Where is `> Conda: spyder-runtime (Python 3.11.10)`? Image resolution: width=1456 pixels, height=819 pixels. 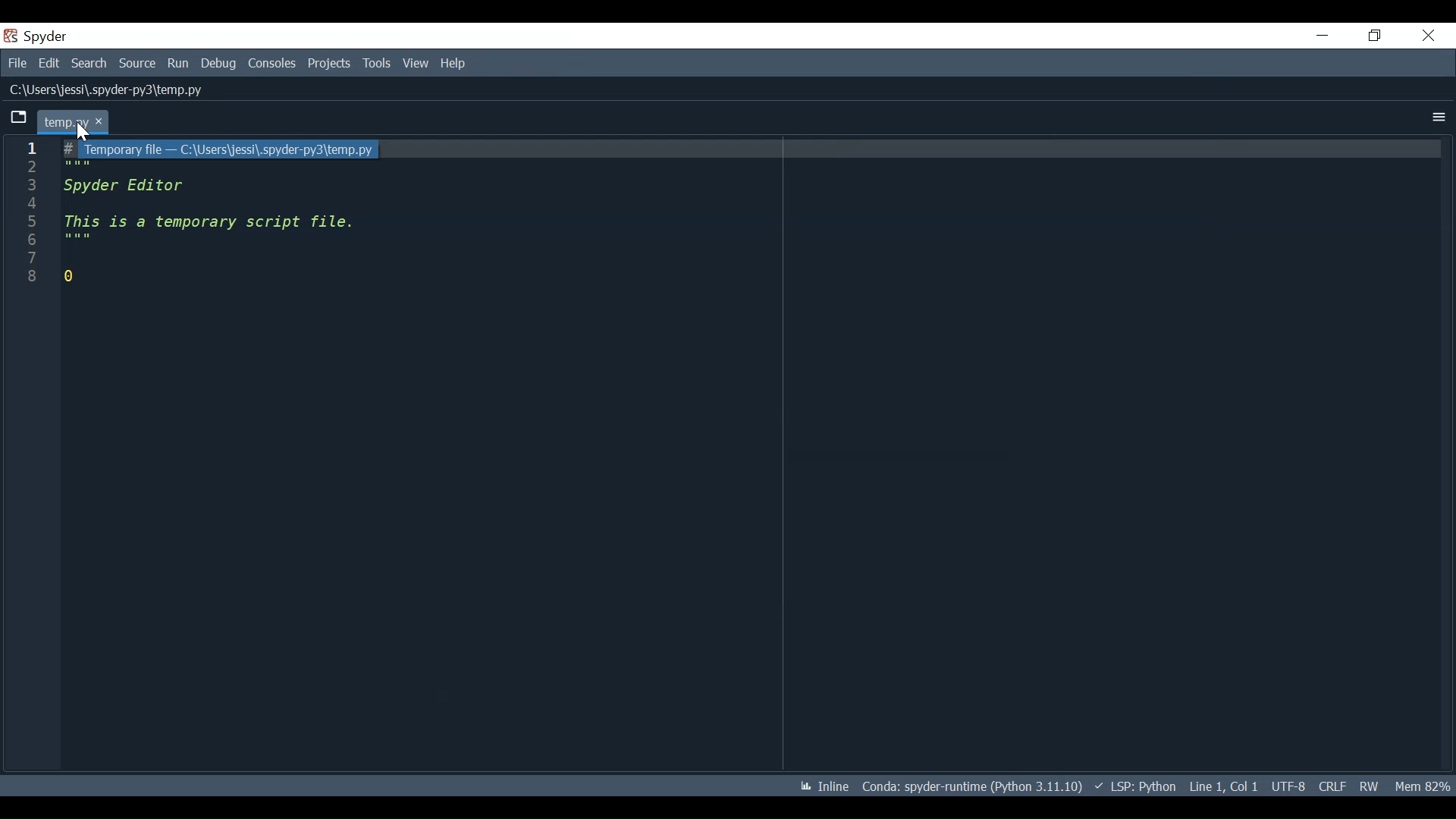 > Conda: spyder-runtime (Python 3.11.10) is located at coordinates (972, 788).